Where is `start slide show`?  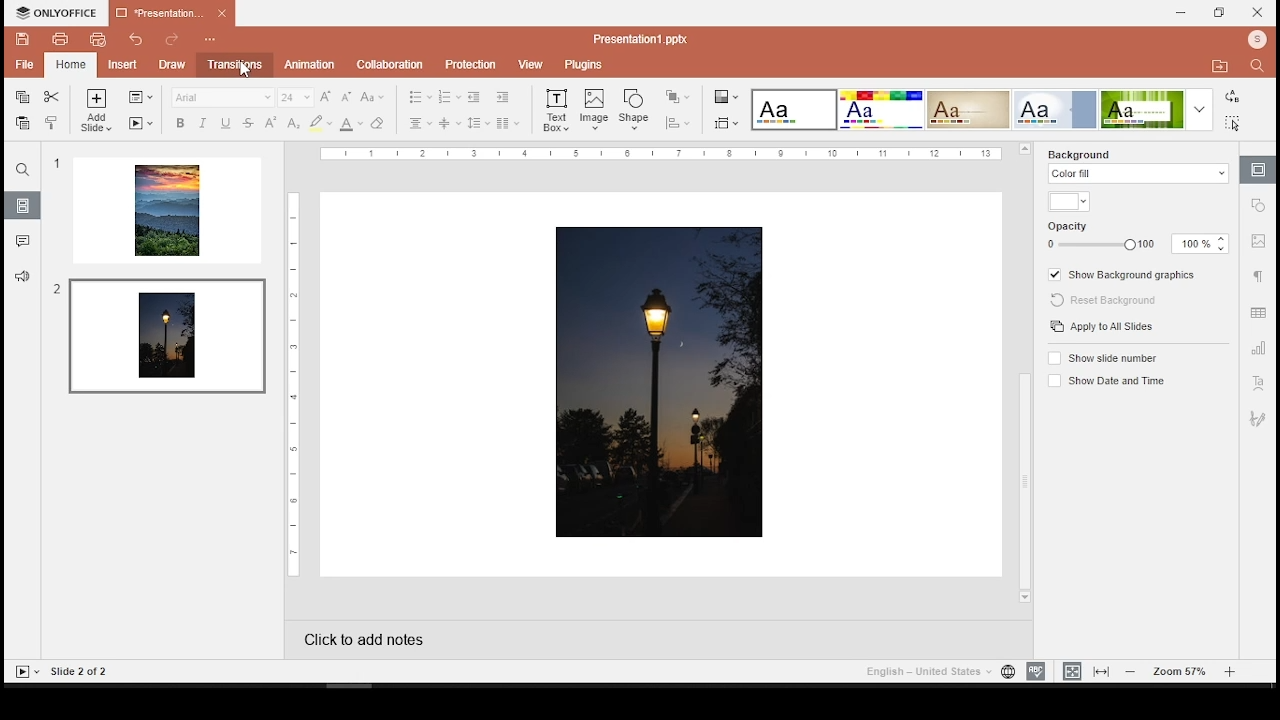
start slide show is located at coordinates (140, 124).